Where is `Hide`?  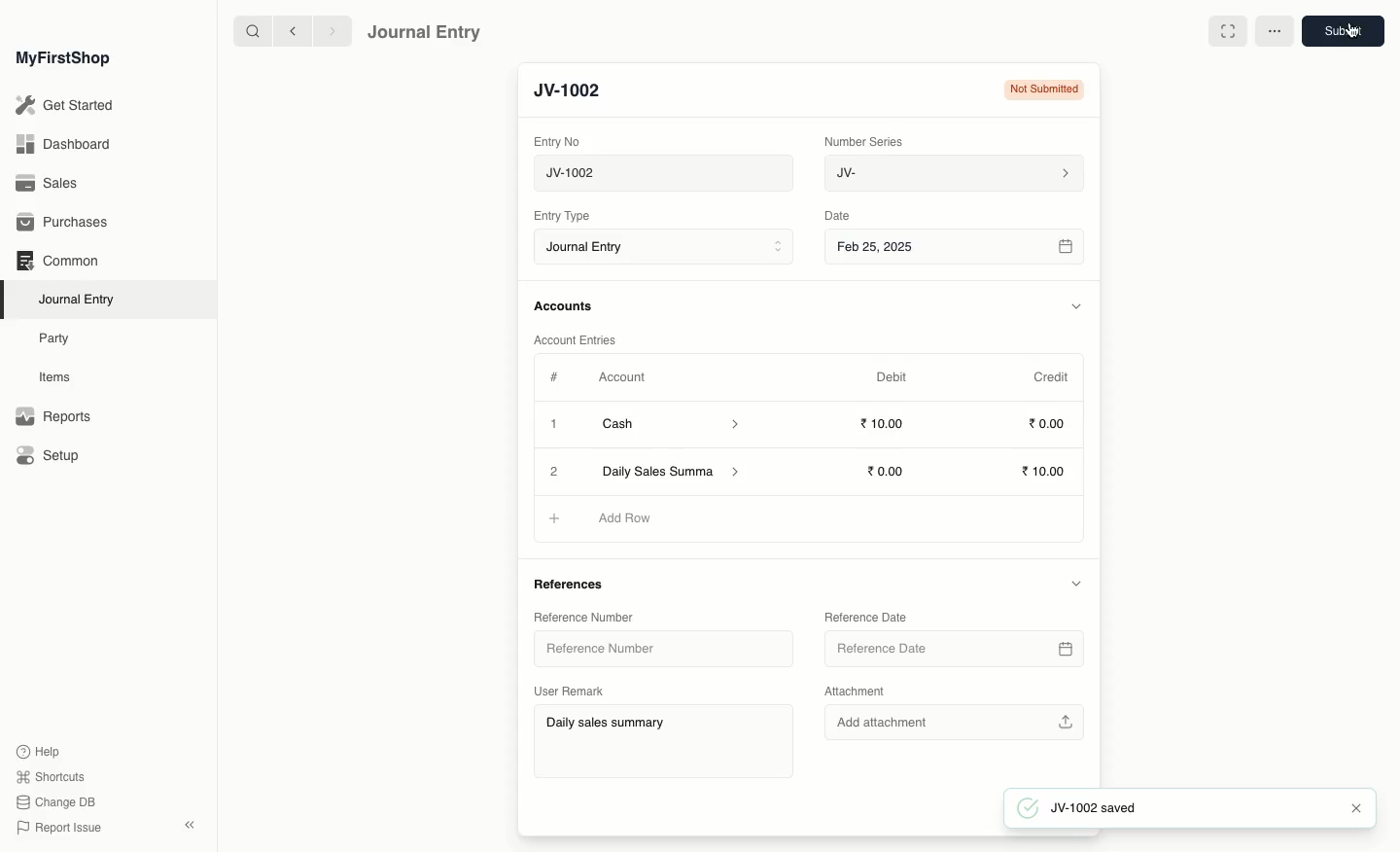 Hide is located at coordinates (1075, 583).